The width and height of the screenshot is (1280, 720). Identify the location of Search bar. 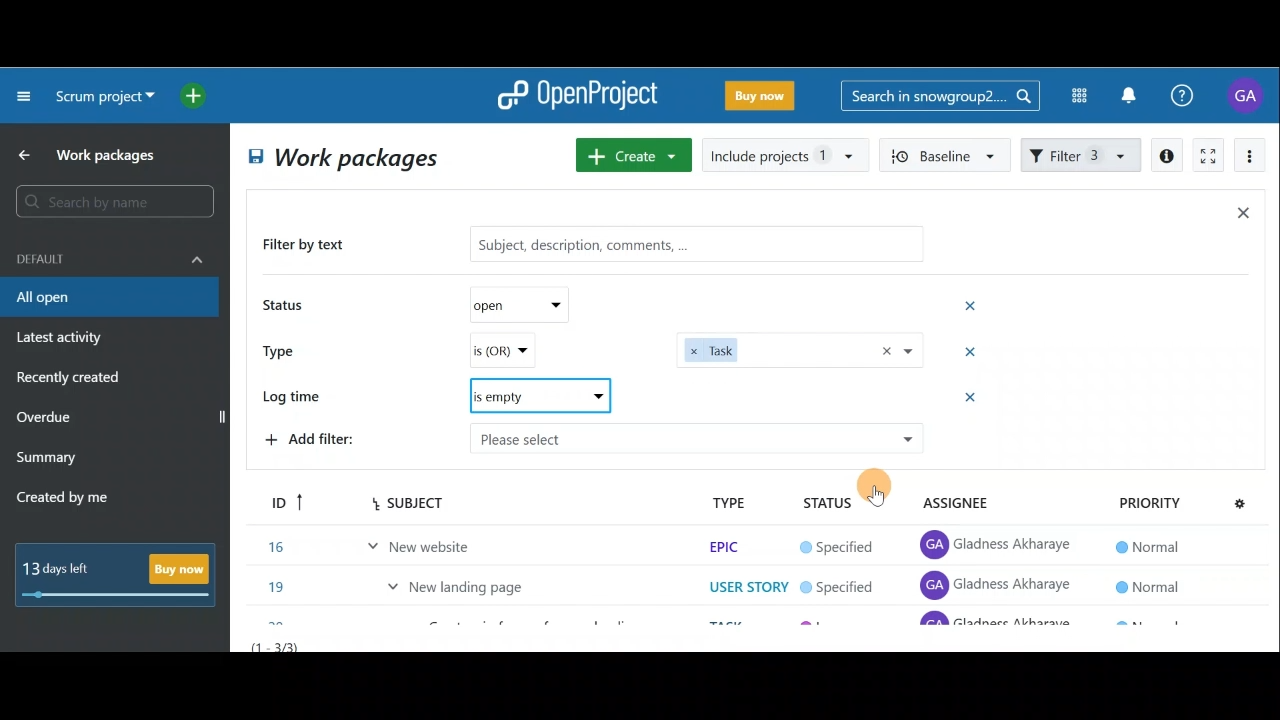
(118, 201).